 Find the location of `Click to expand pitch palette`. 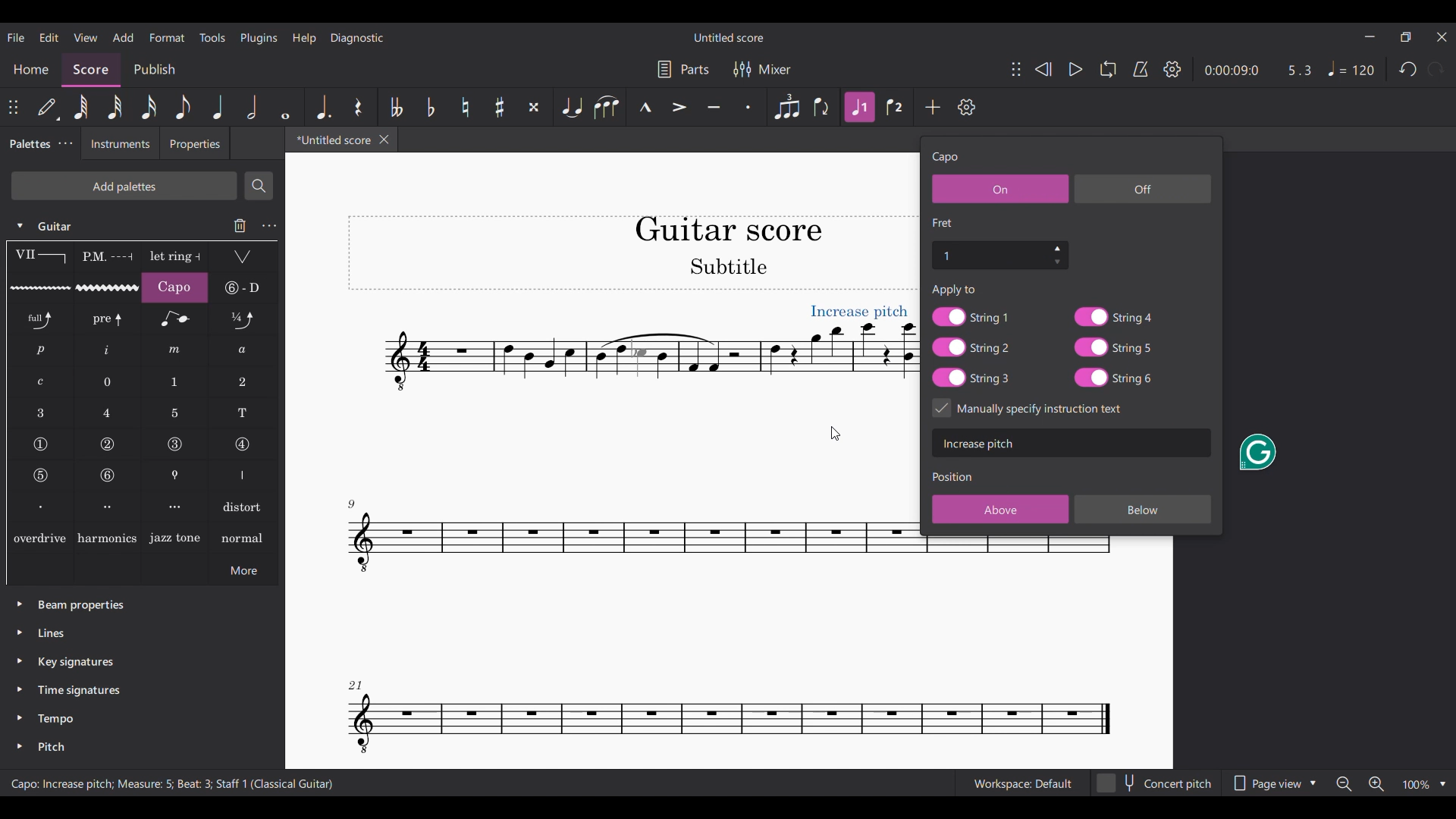

Click to expand pitch palette is located at coordinates (20, 746).